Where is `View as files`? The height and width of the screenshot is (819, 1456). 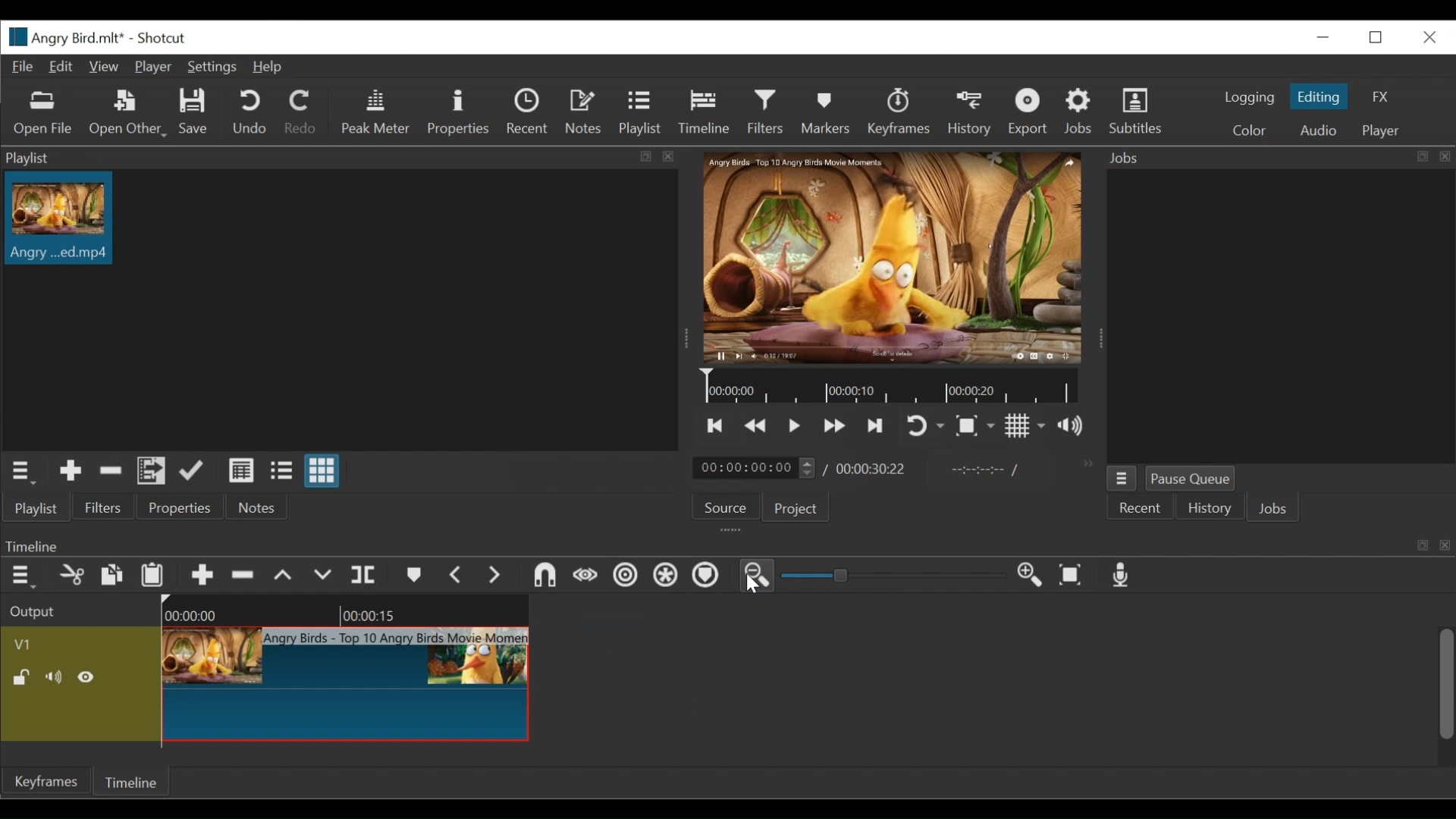
View as files is located at coordinates (281, 470).